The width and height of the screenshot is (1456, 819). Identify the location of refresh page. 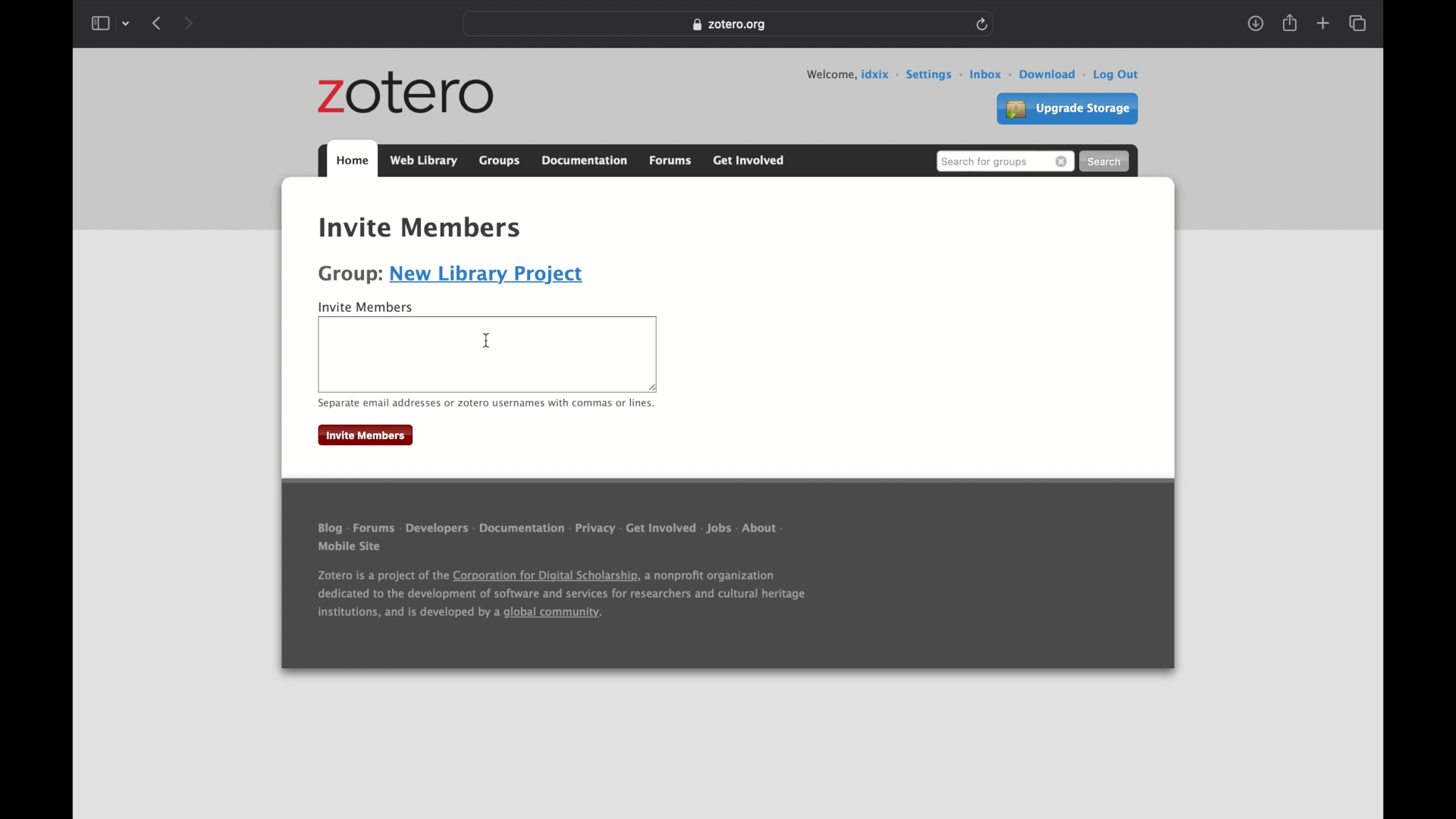
(982, 23).